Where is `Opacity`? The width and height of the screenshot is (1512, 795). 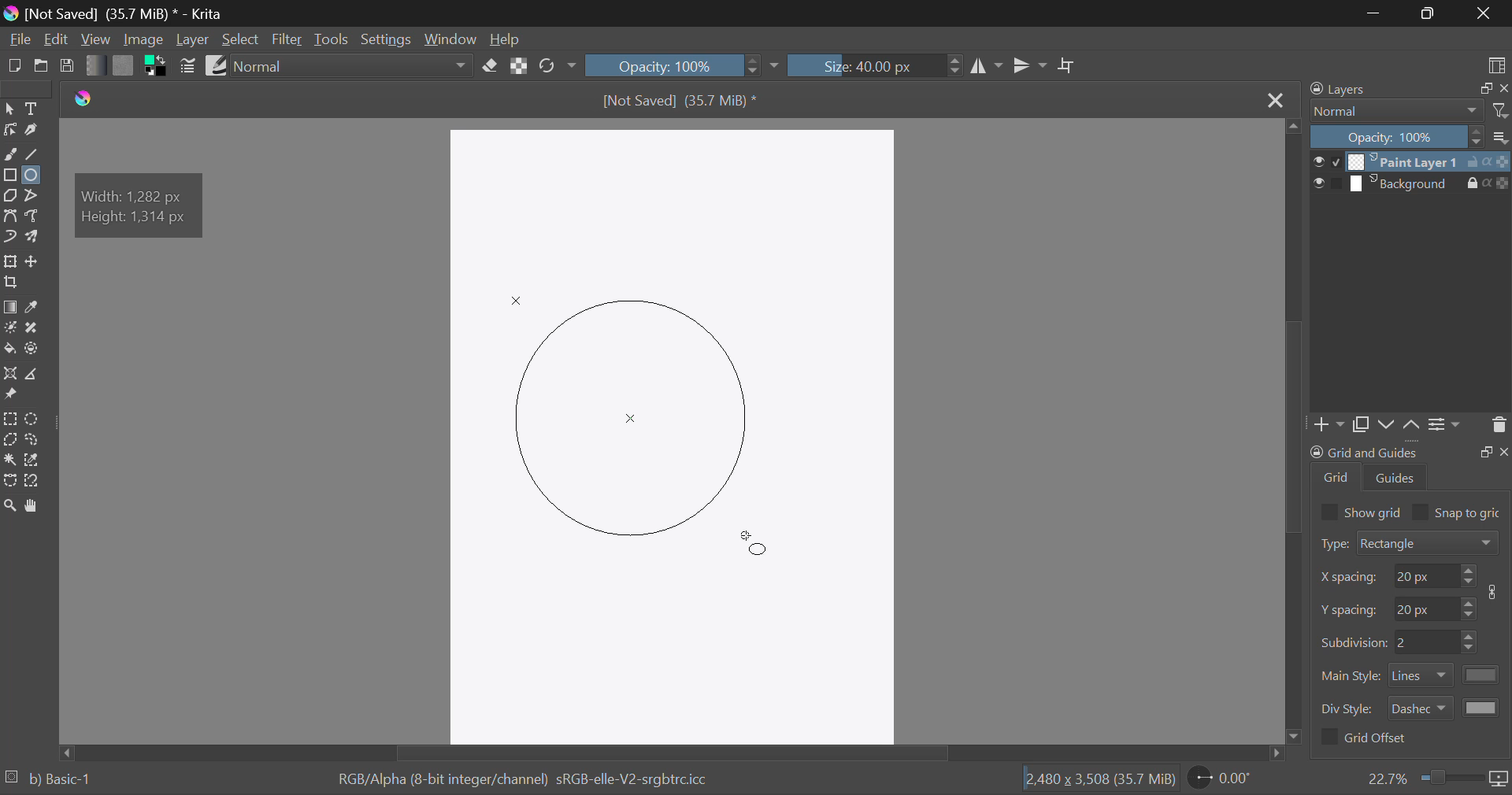
Opacity is located at coordinates (684, 65).